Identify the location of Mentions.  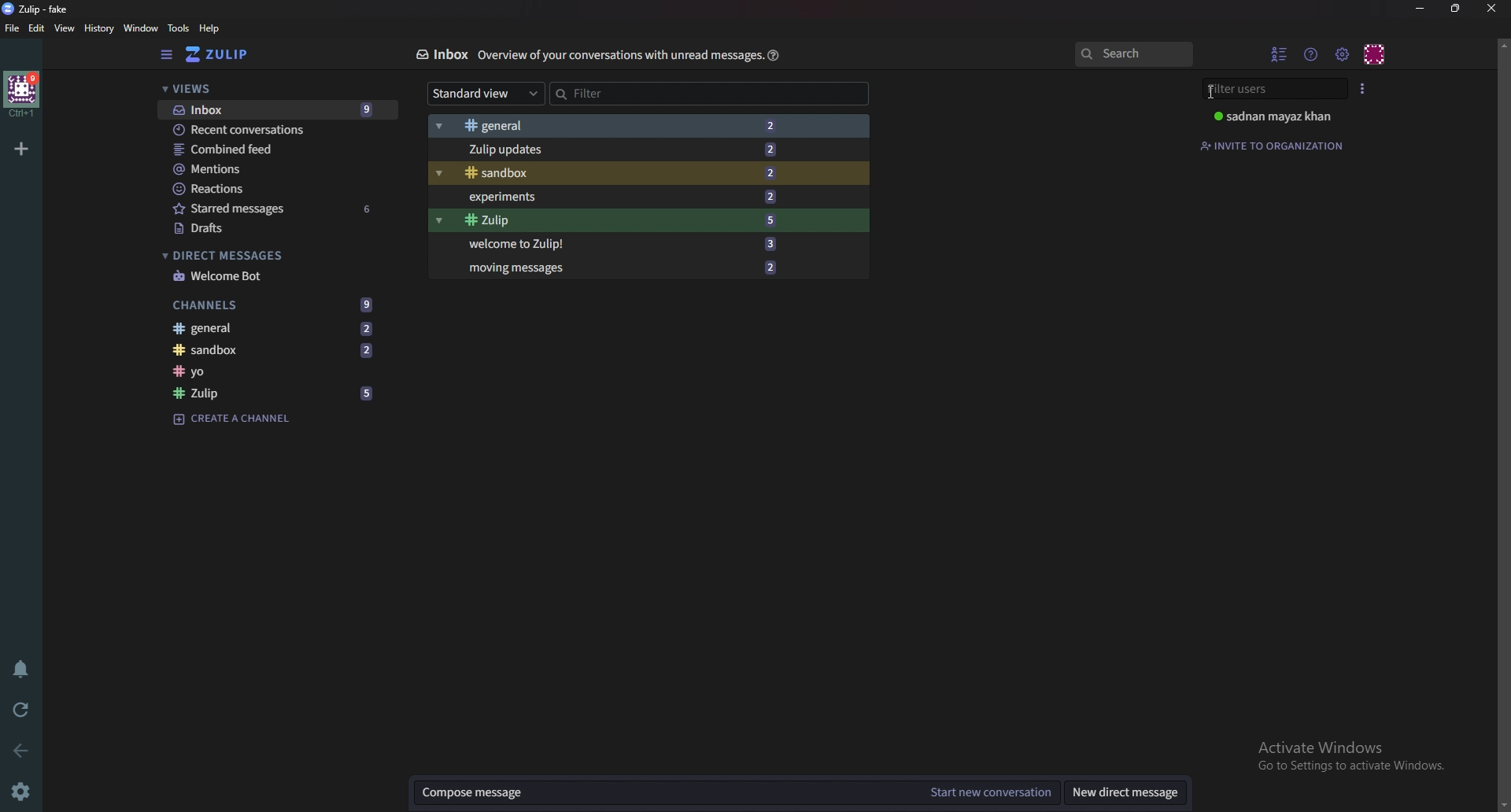
(266, 168).